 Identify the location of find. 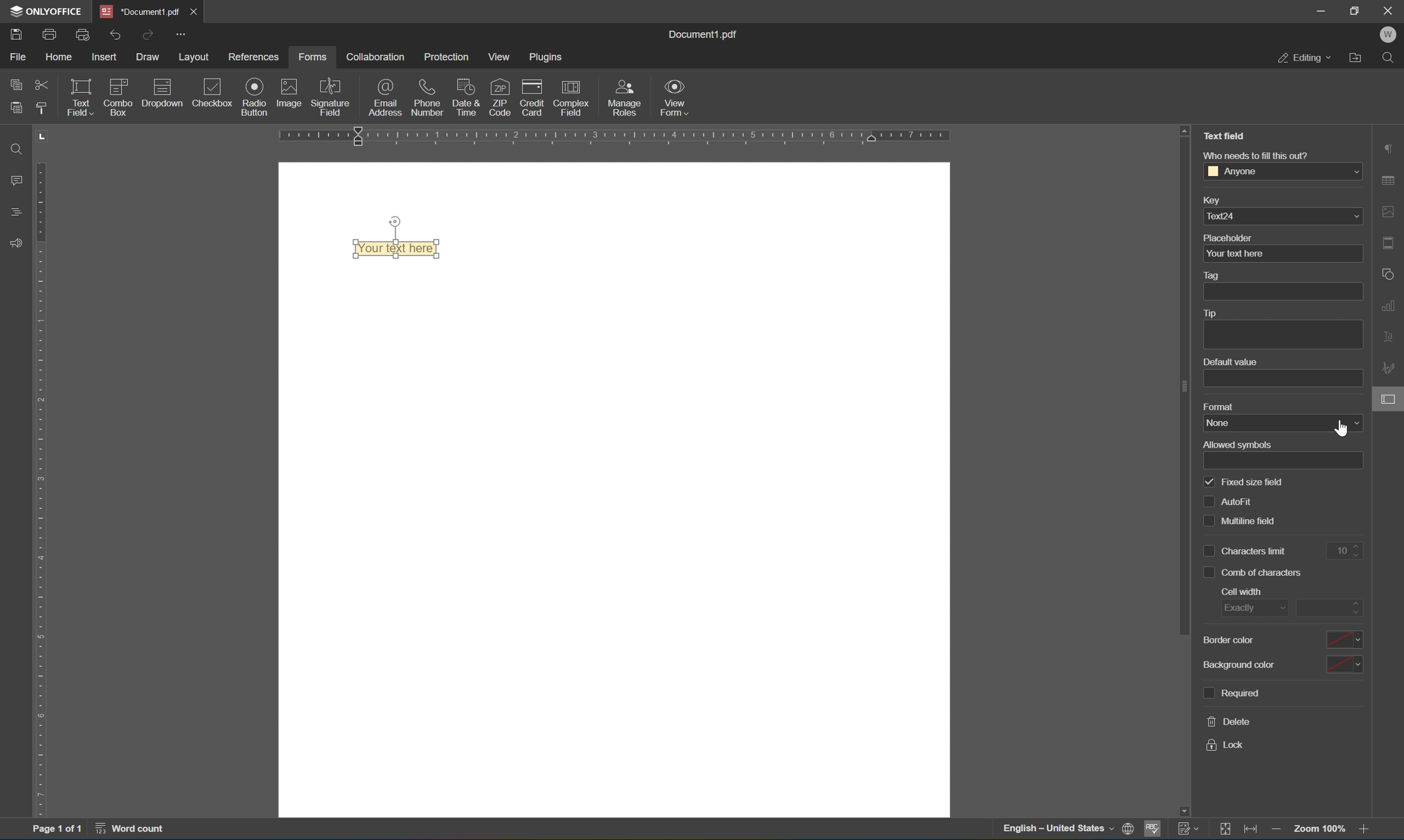
(1392, 58).